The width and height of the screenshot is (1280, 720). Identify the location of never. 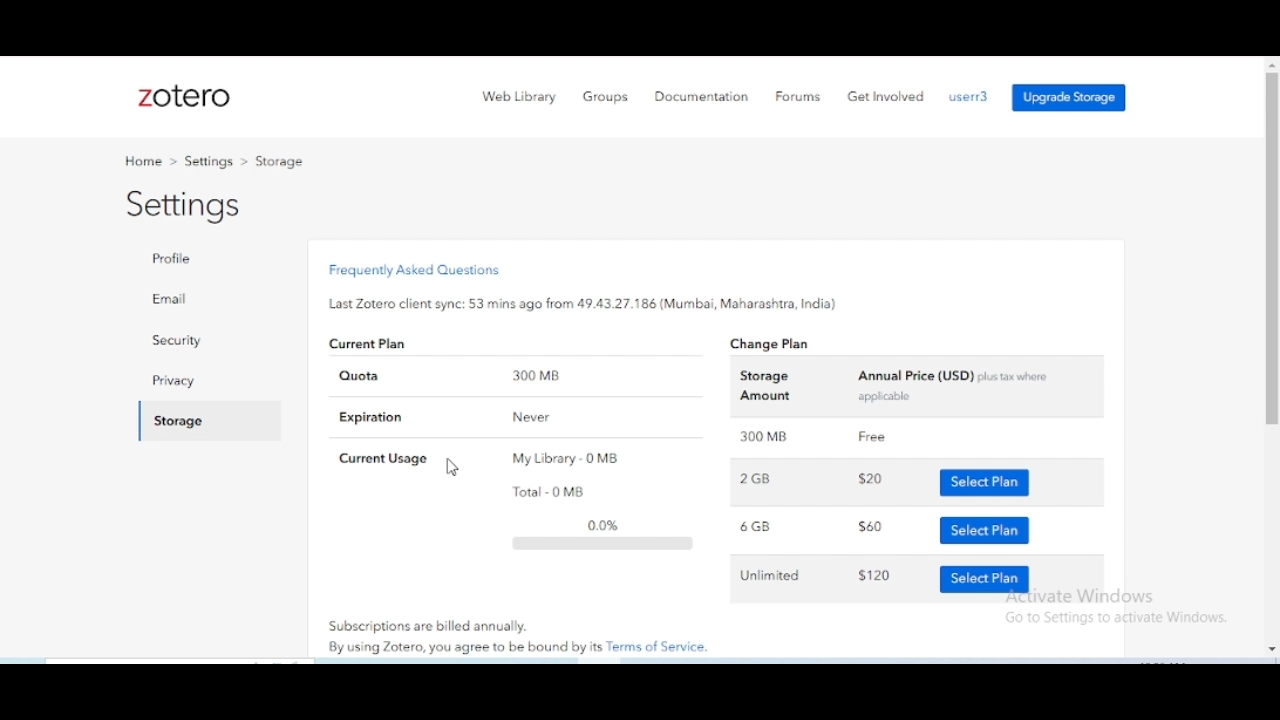
(531, 418).